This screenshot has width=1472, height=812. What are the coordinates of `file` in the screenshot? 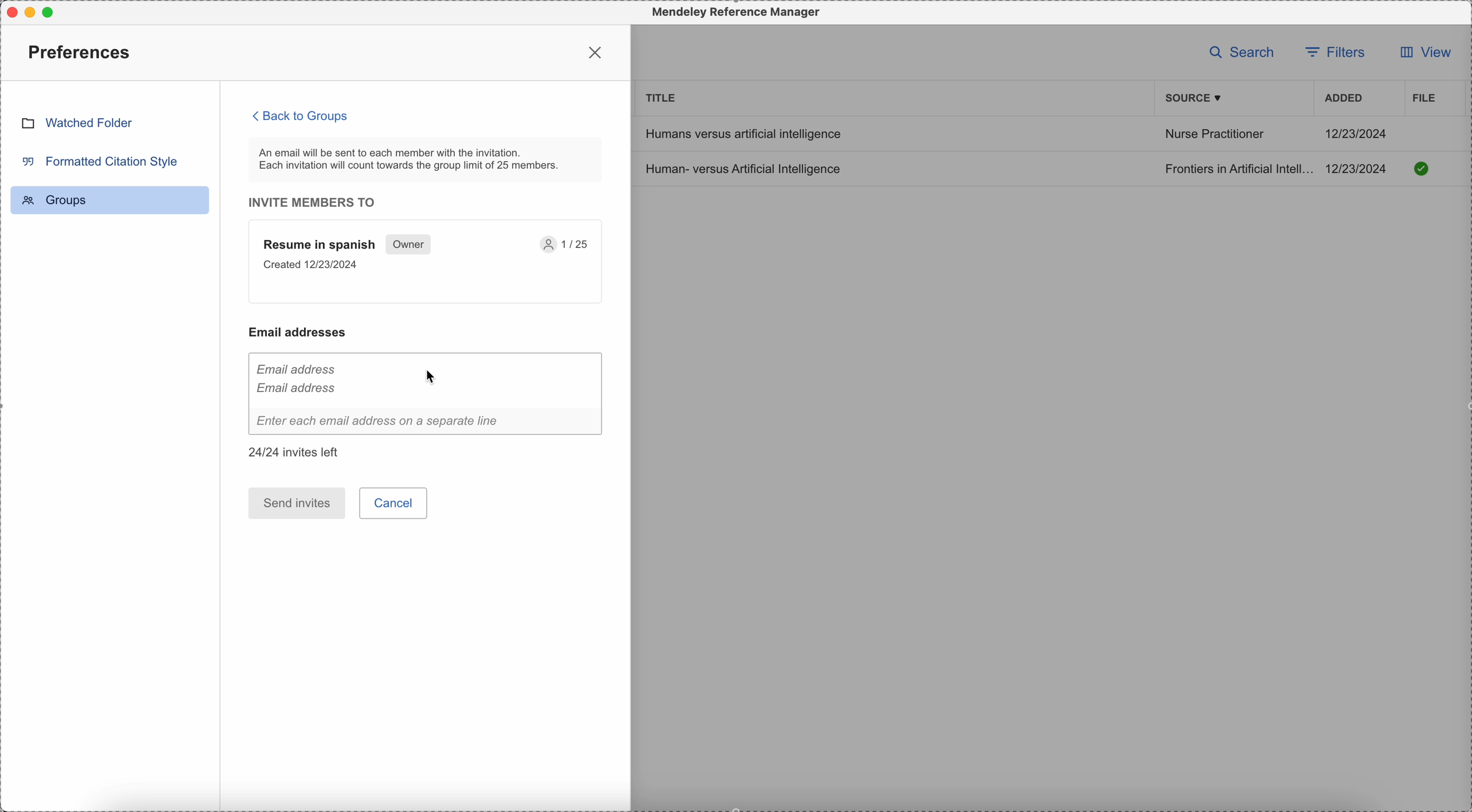 It's located at (1422, 98).